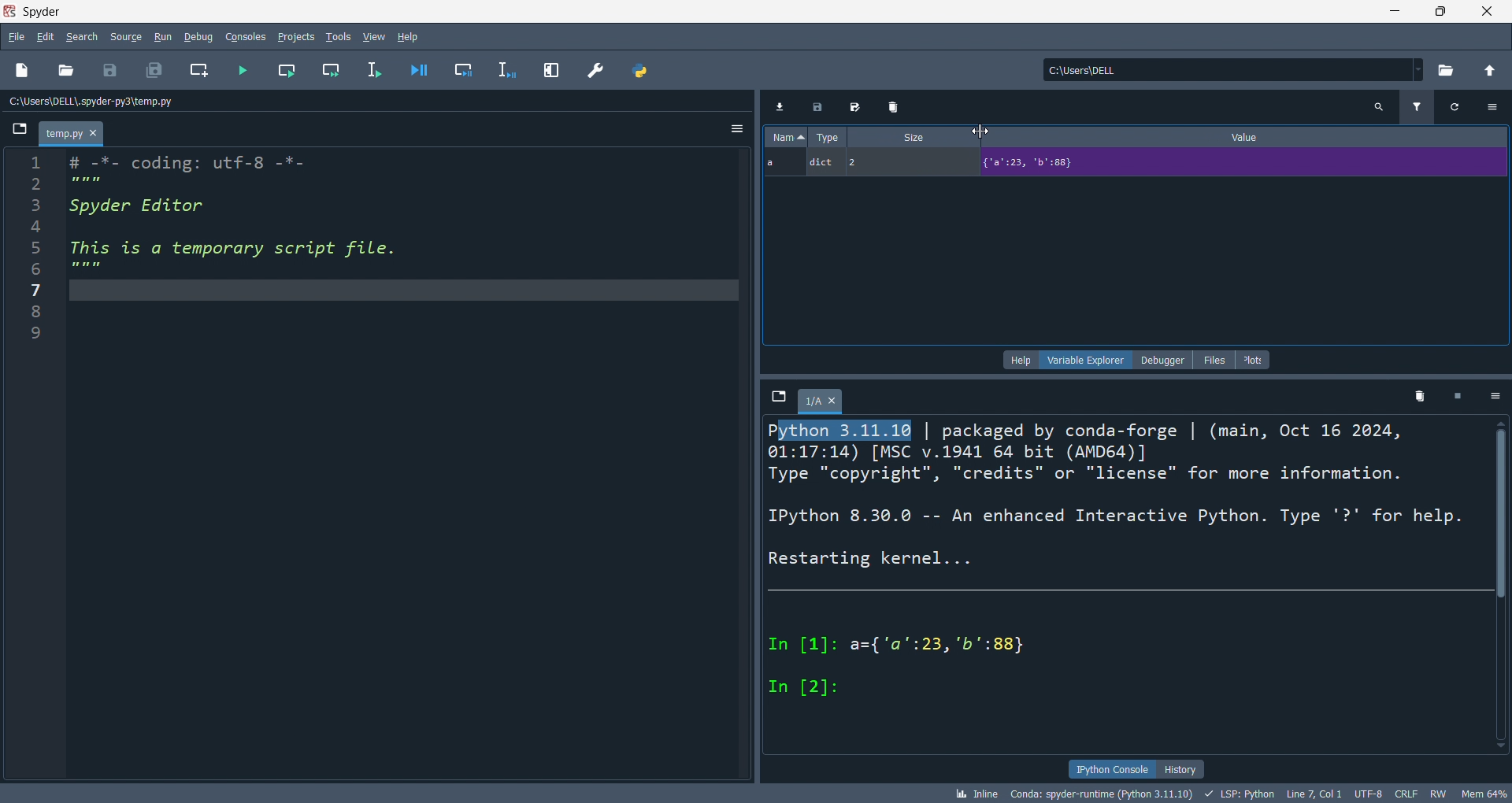 The image size is (1512, 803). What do you see at coordinates (17, 35) in the screenshot?
I see `file` at bounding box center [17, 35].